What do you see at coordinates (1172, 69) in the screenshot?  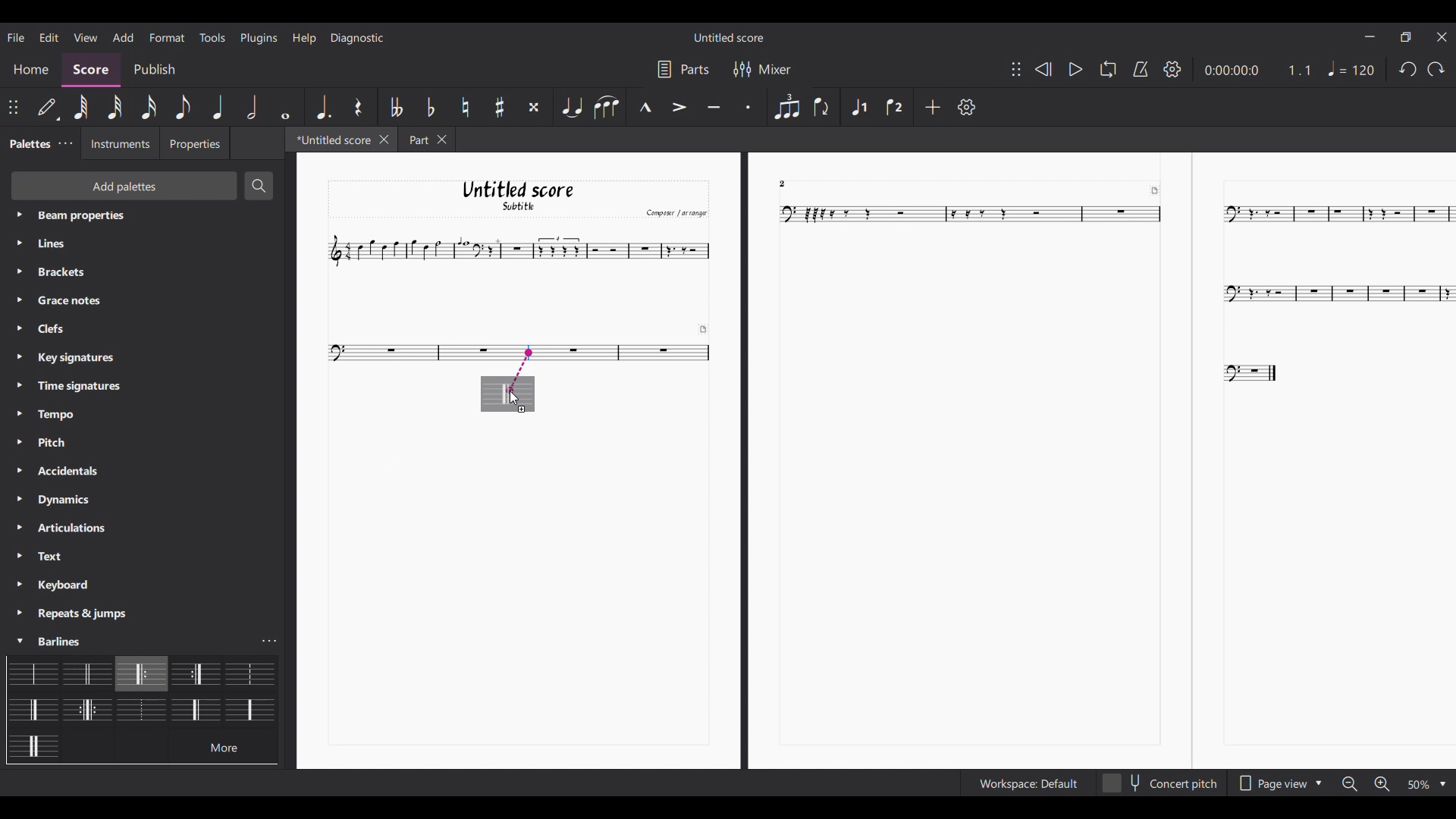 I see `Settings` at bounding box center [1172, 69].